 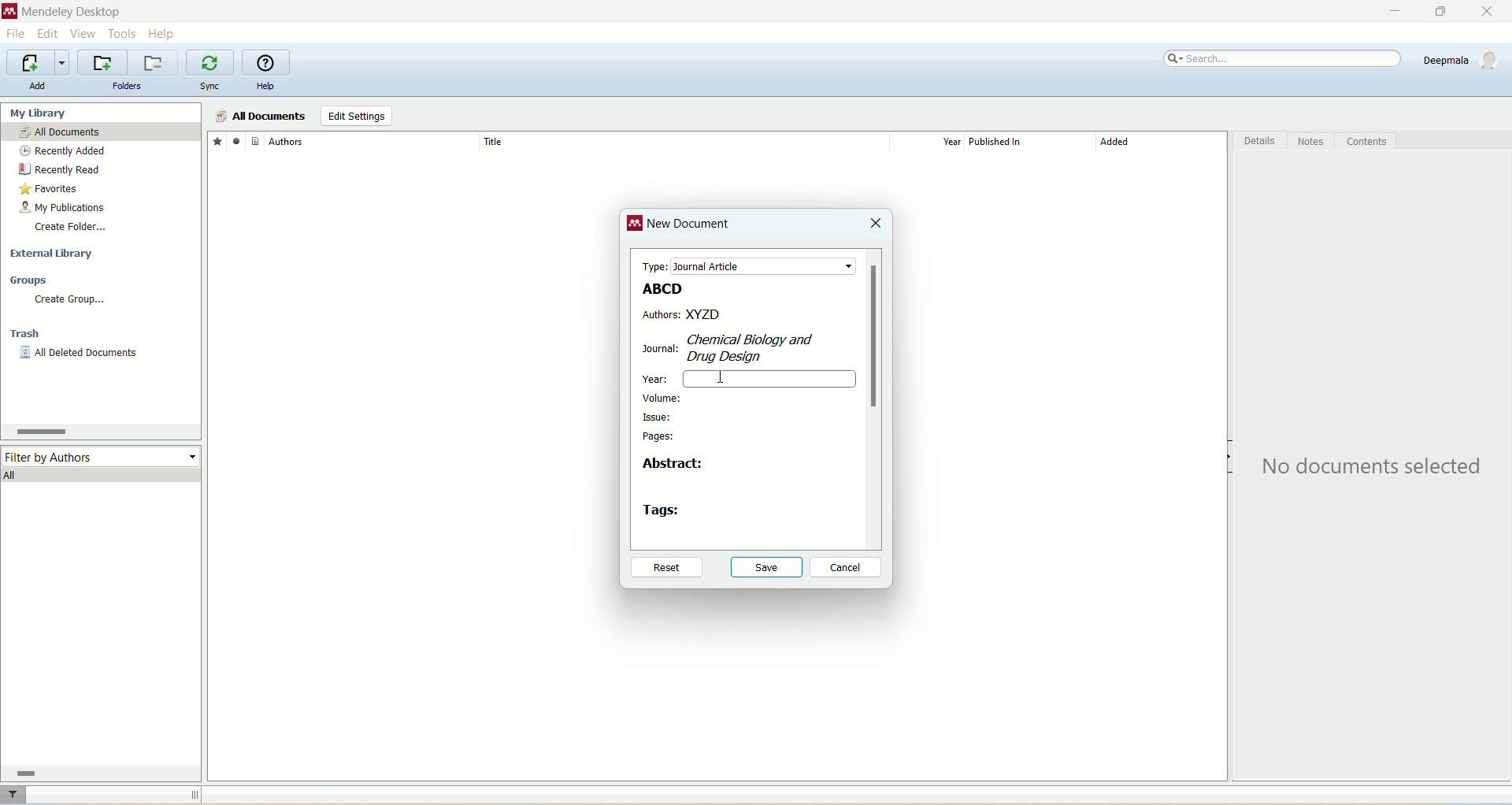 What do you see at coordinates (46, 34) in the screenshot?
I see `edit` at bounding box center [46, 34].